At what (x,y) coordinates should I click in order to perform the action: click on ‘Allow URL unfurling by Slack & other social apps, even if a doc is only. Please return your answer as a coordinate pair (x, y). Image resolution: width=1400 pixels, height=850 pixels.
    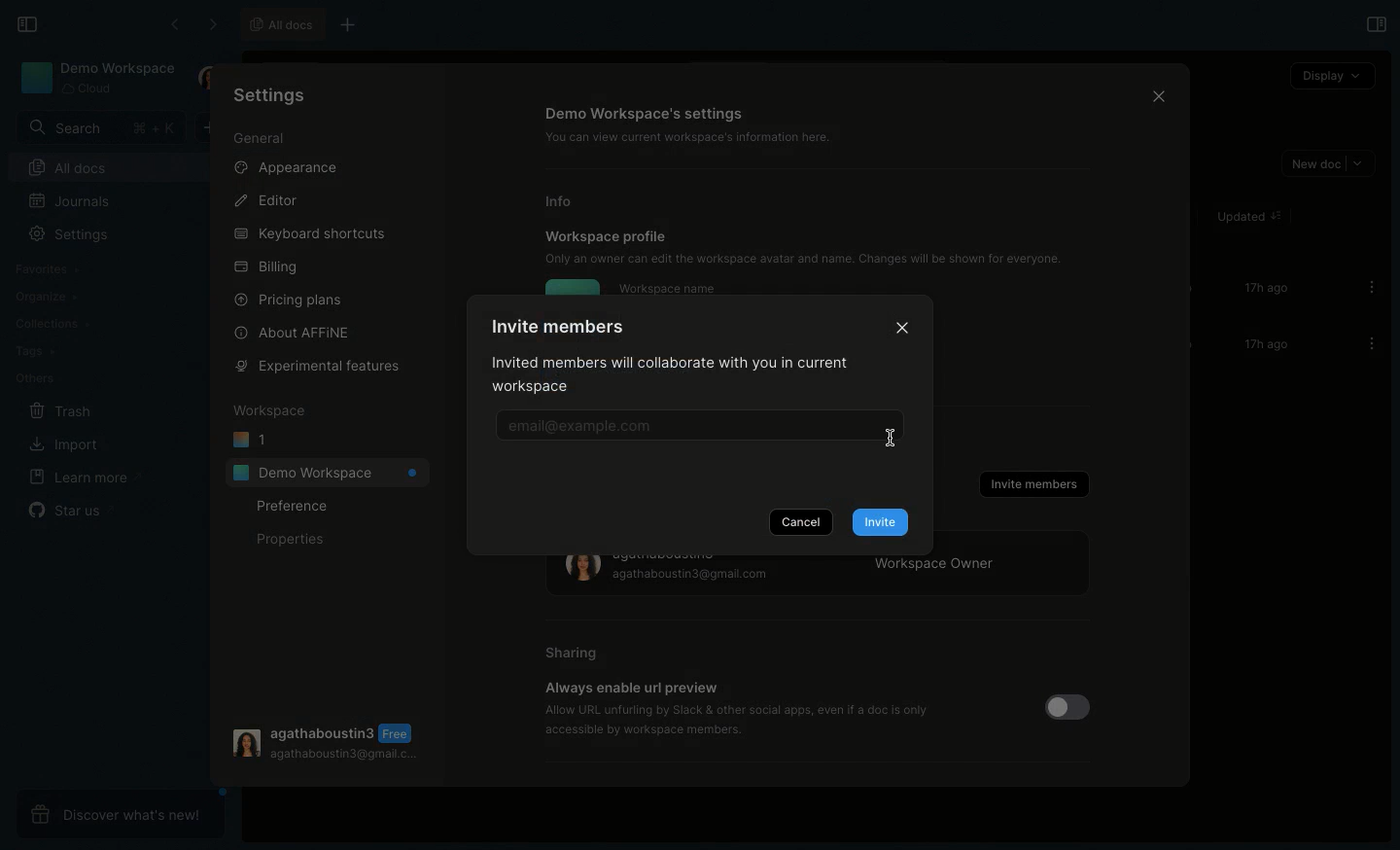
    Looking at the image, I should click on (738, 709).